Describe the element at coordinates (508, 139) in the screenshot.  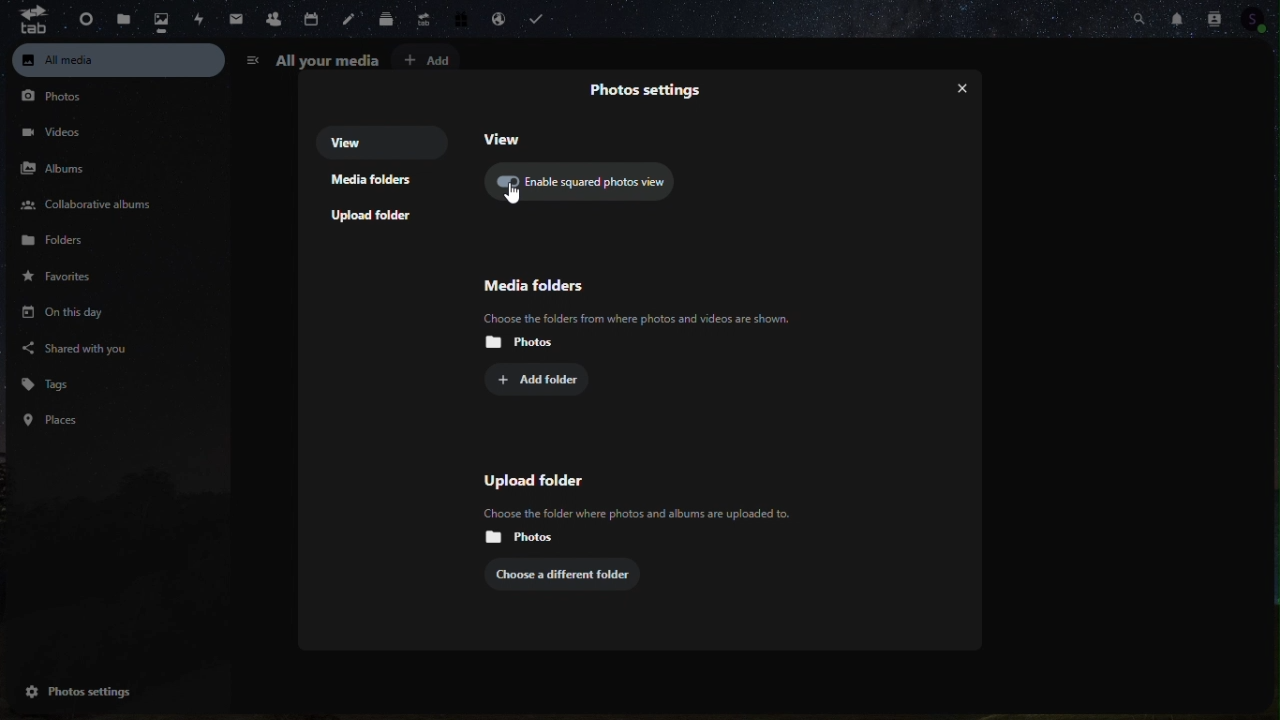
I see `View` at that location.